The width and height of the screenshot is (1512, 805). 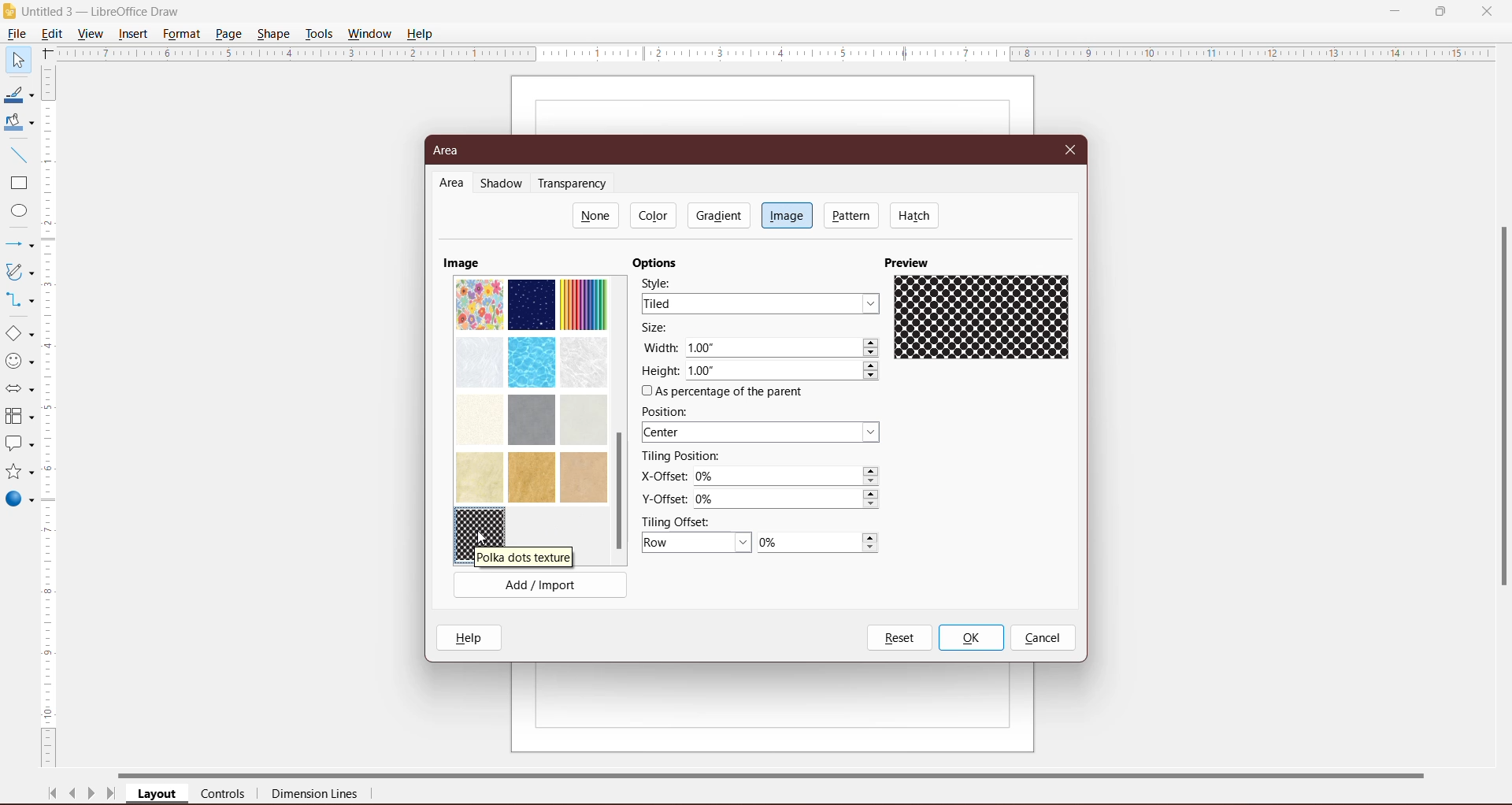 What do you see at coordinates (18, 473) in the screenshot?
I see `Stars and Banners` at bounding box center [18, 473].